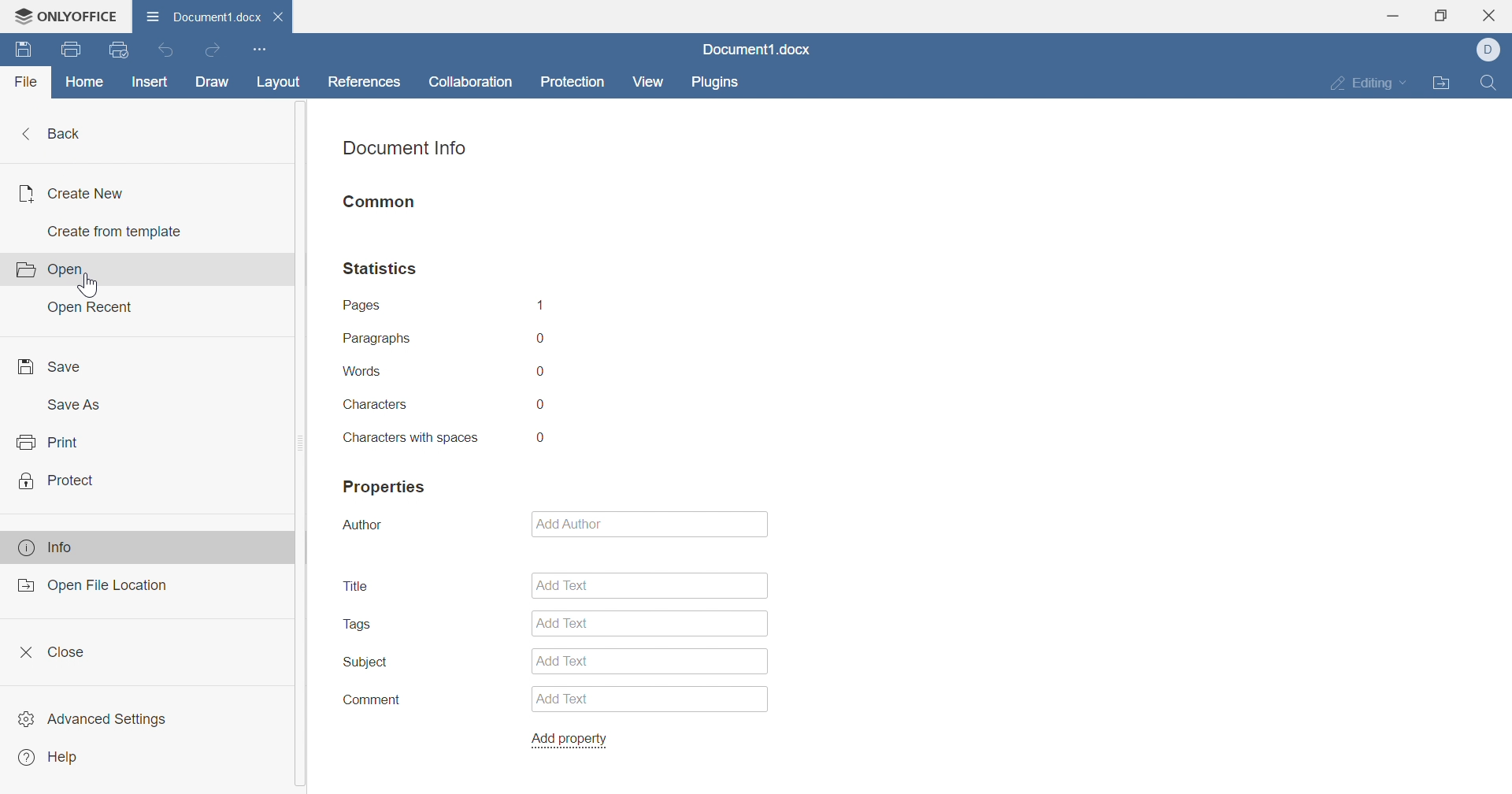 Image resolution: width=1512 pixels, height=794 pixels. What do you see at coordinates (55, 368) in the screenshot?
I see `save` at bounding box center [55, 368].